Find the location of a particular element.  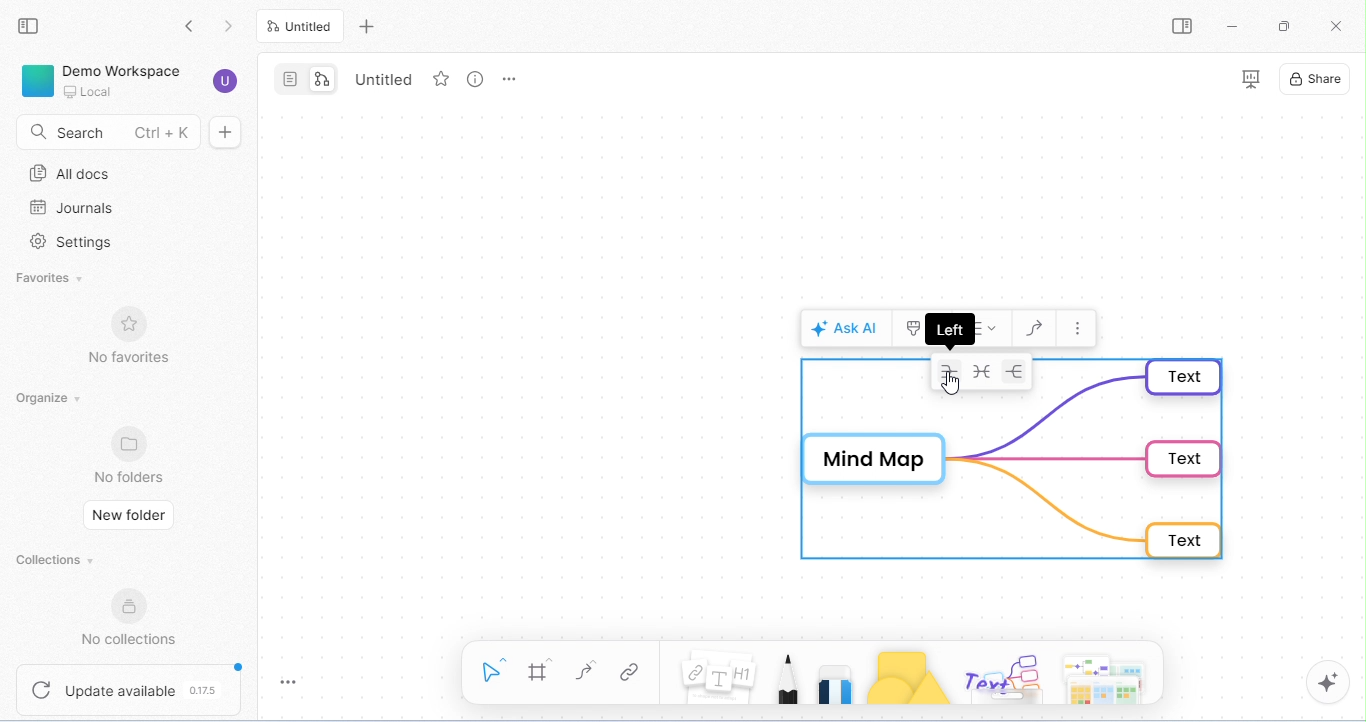

others is located at coordinates (1000, 676).